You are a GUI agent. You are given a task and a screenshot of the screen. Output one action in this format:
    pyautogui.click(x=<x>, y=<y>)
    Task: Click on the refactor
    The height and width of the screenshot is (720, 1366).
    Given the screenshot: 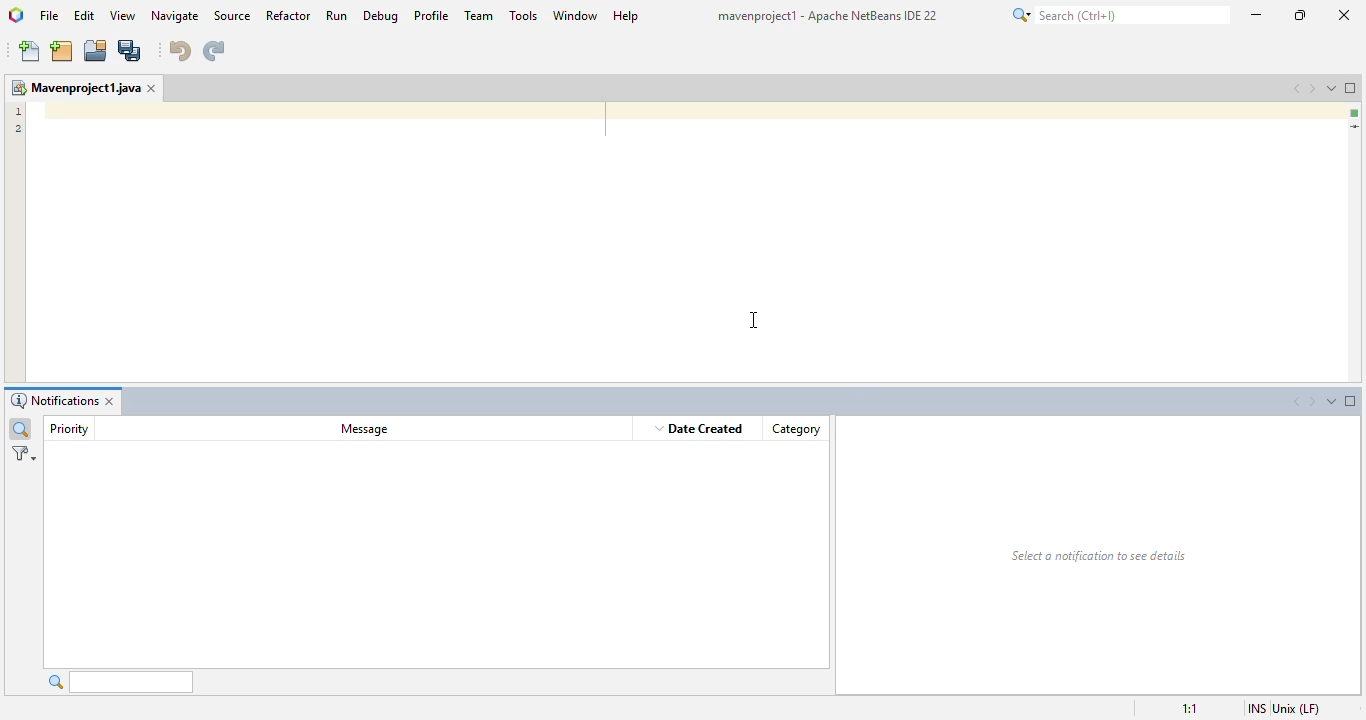 What is the action you would take?
    pyautogui.click(x=289, y=15)
    